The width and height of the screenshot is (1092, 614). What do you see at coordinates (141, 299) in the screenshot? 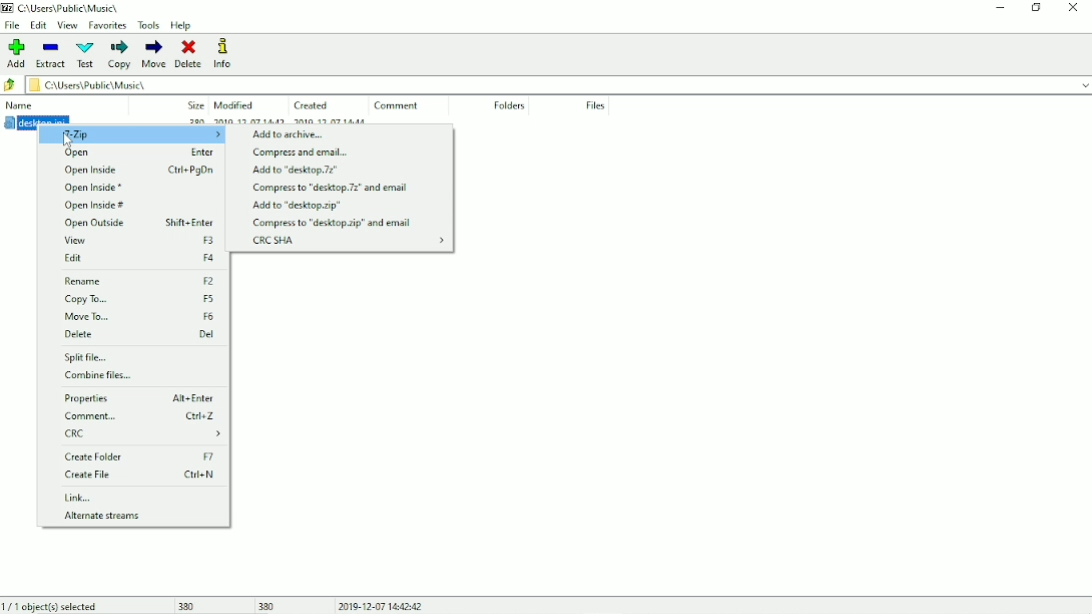
I see `Copy To` at bounding box center [141, 299].